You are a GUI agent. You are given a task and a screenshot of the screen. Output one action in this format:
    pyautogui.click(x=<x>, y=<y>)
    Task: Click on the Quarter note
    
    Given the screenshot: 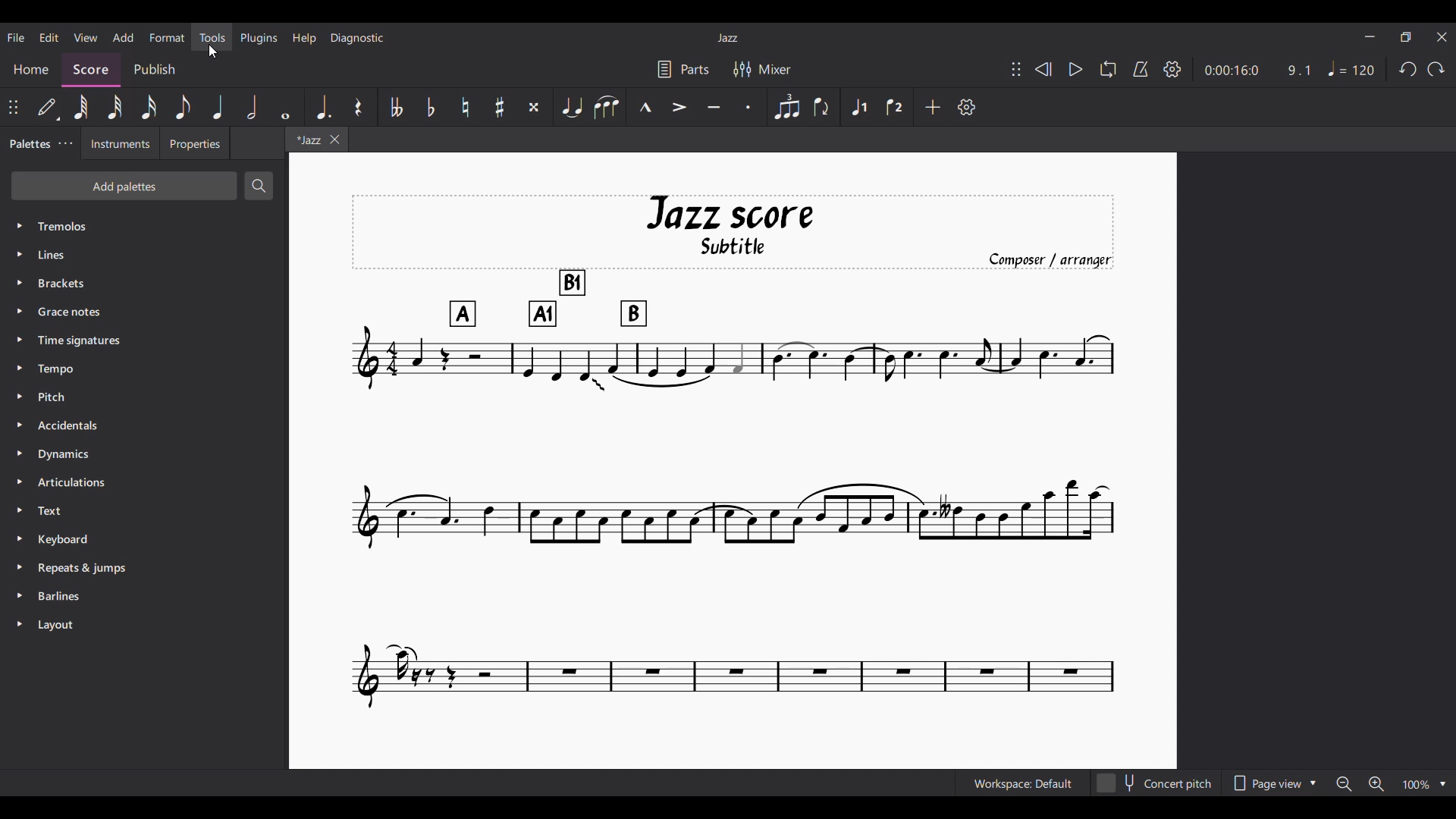 What is the action you would take?
    pyautogui.click(x=218, y=108)
    